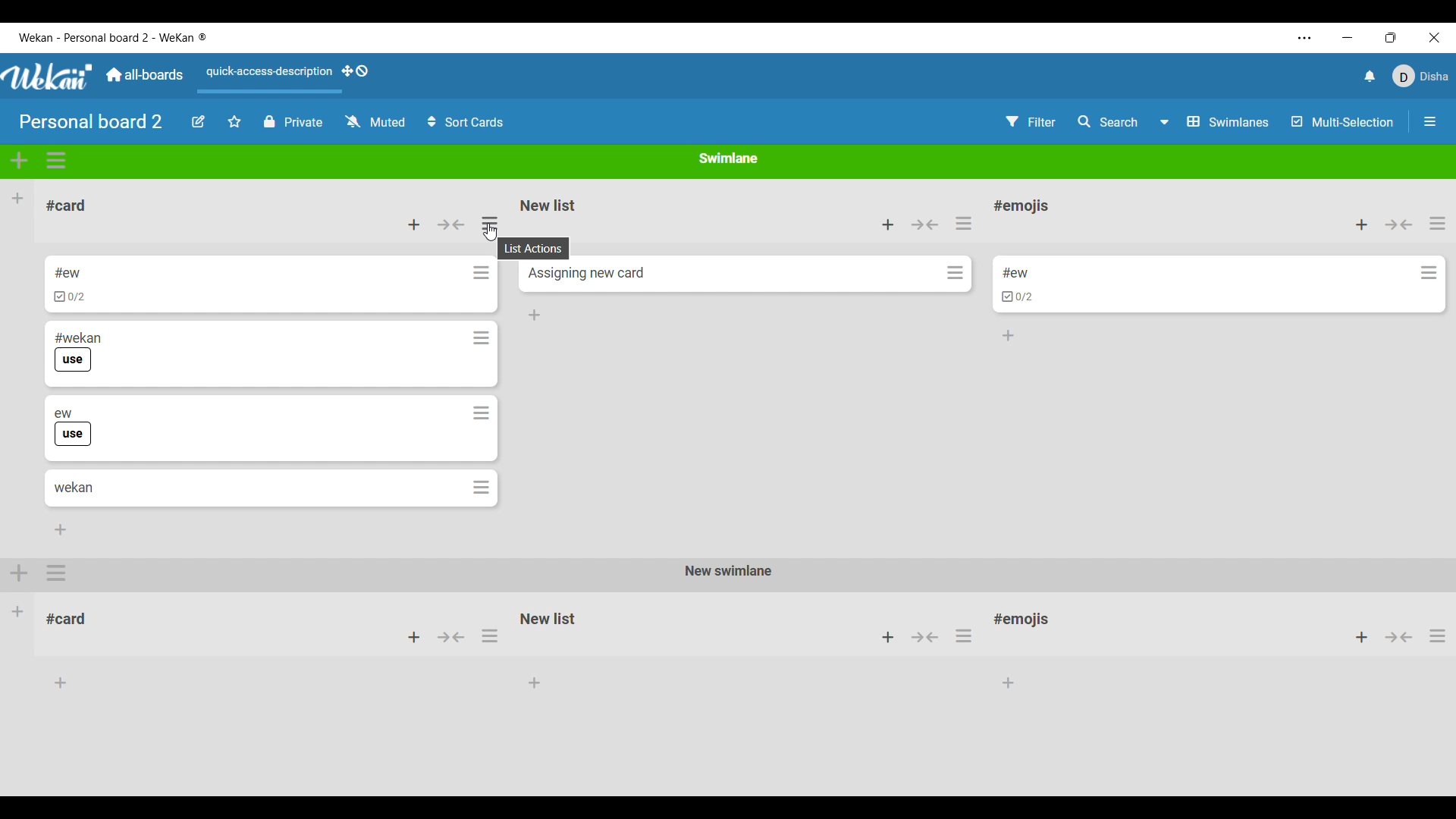 This screenshot has height=819, width=1456. What do you see at coordinates (355, 71) in the screenshot?
I see `Show desktop drag handles` at bounding box center [355, 71].